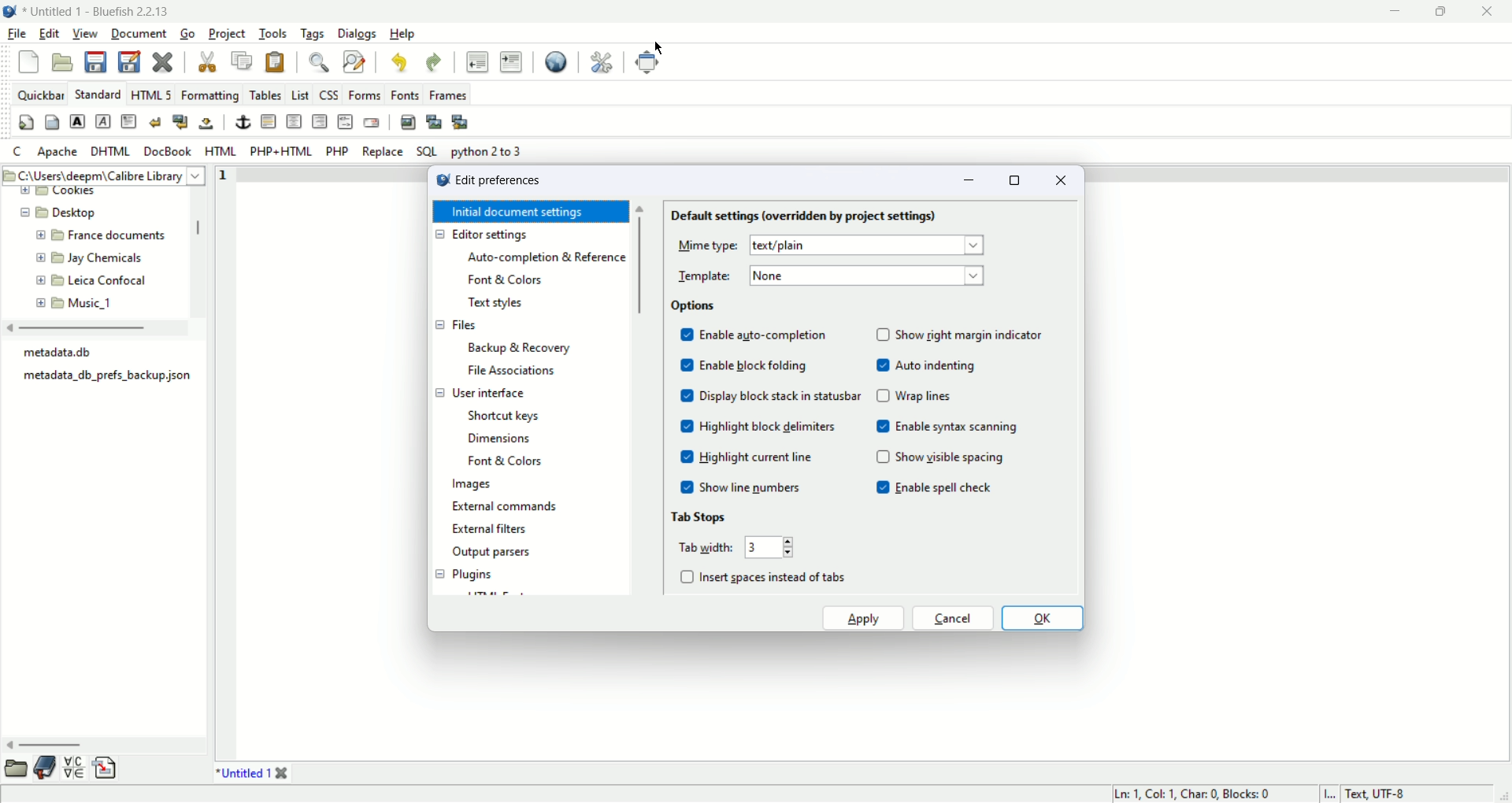  Describe the element at coordinates (968, 179) in the screenshot. I see `minimize` at that location.